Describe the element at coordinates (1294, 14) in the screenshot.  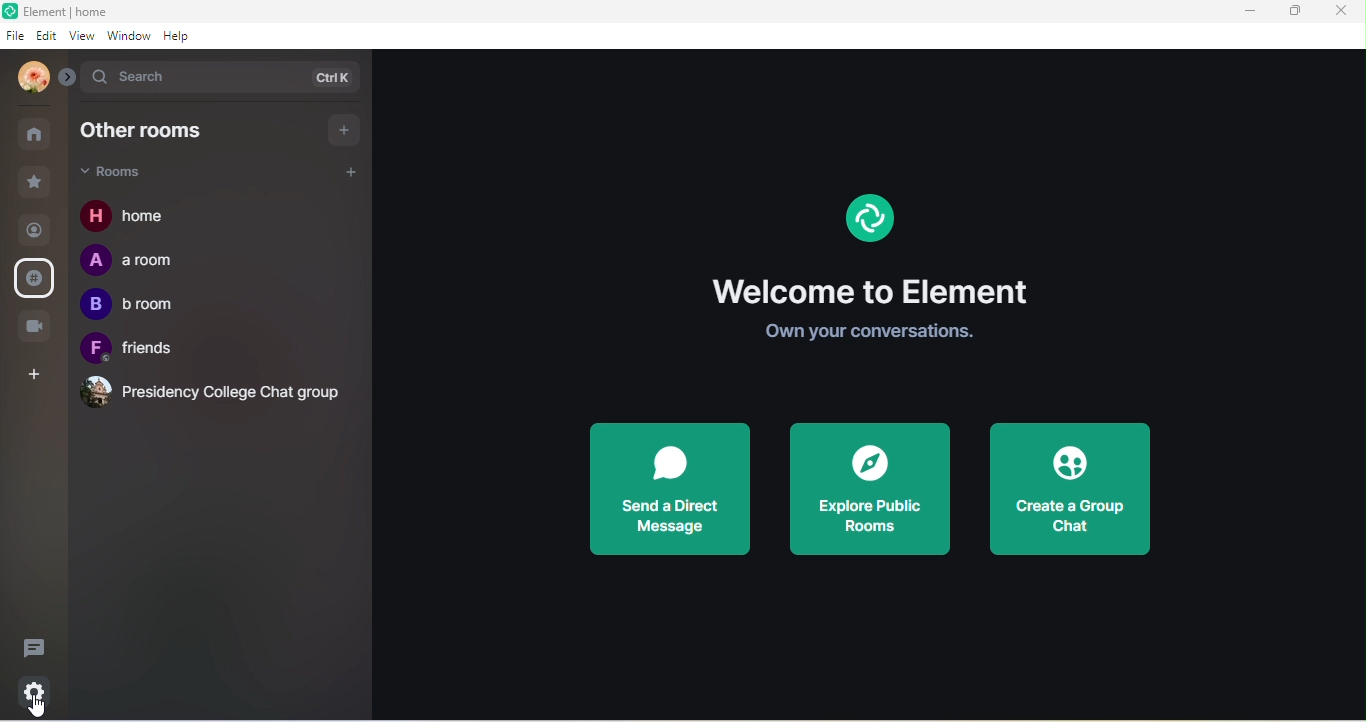
I see `maximize` at that location.